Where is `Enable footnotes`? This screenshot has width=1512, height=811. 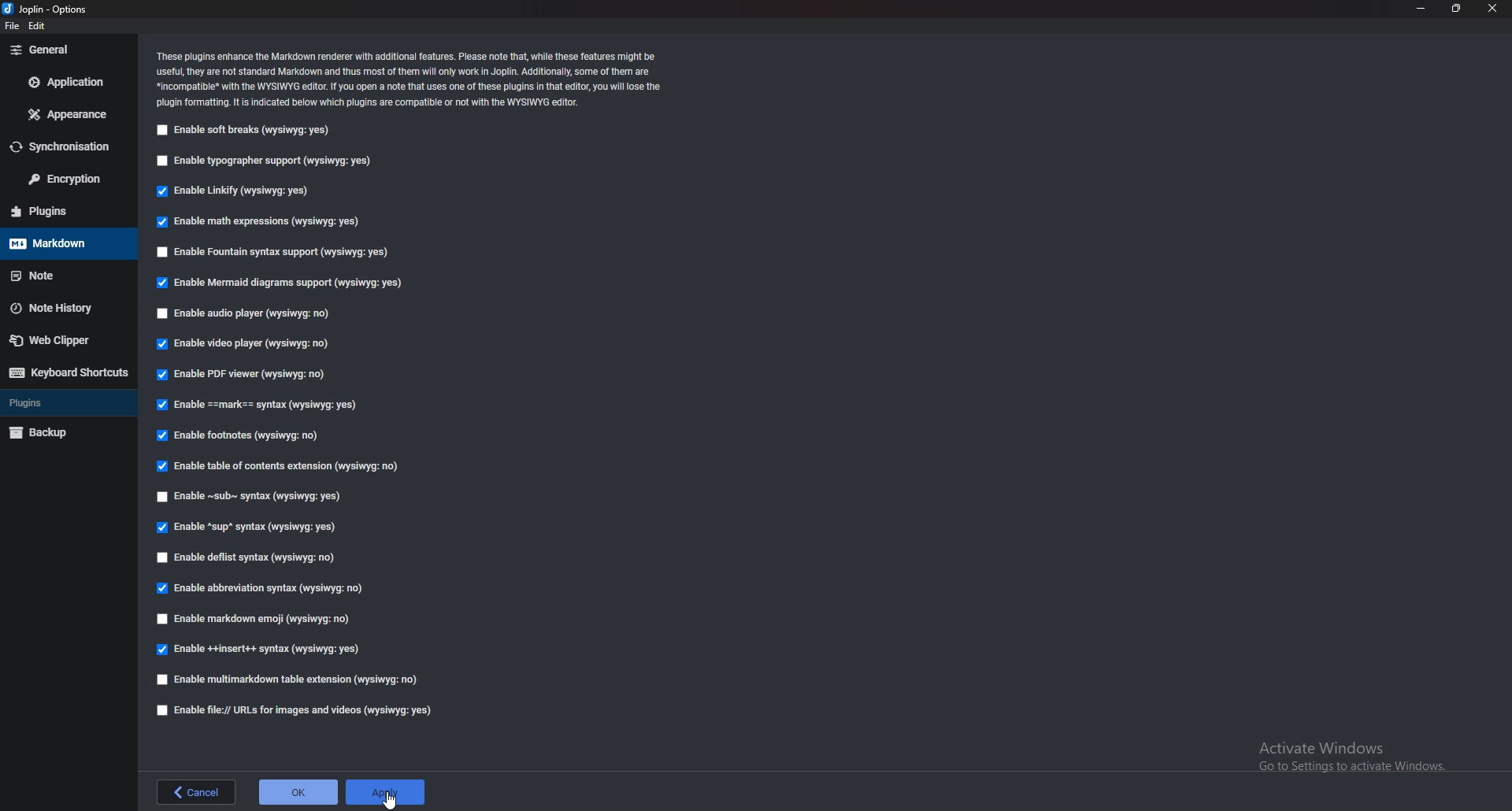 Enable footnotes is located at coordinates (239, 438).